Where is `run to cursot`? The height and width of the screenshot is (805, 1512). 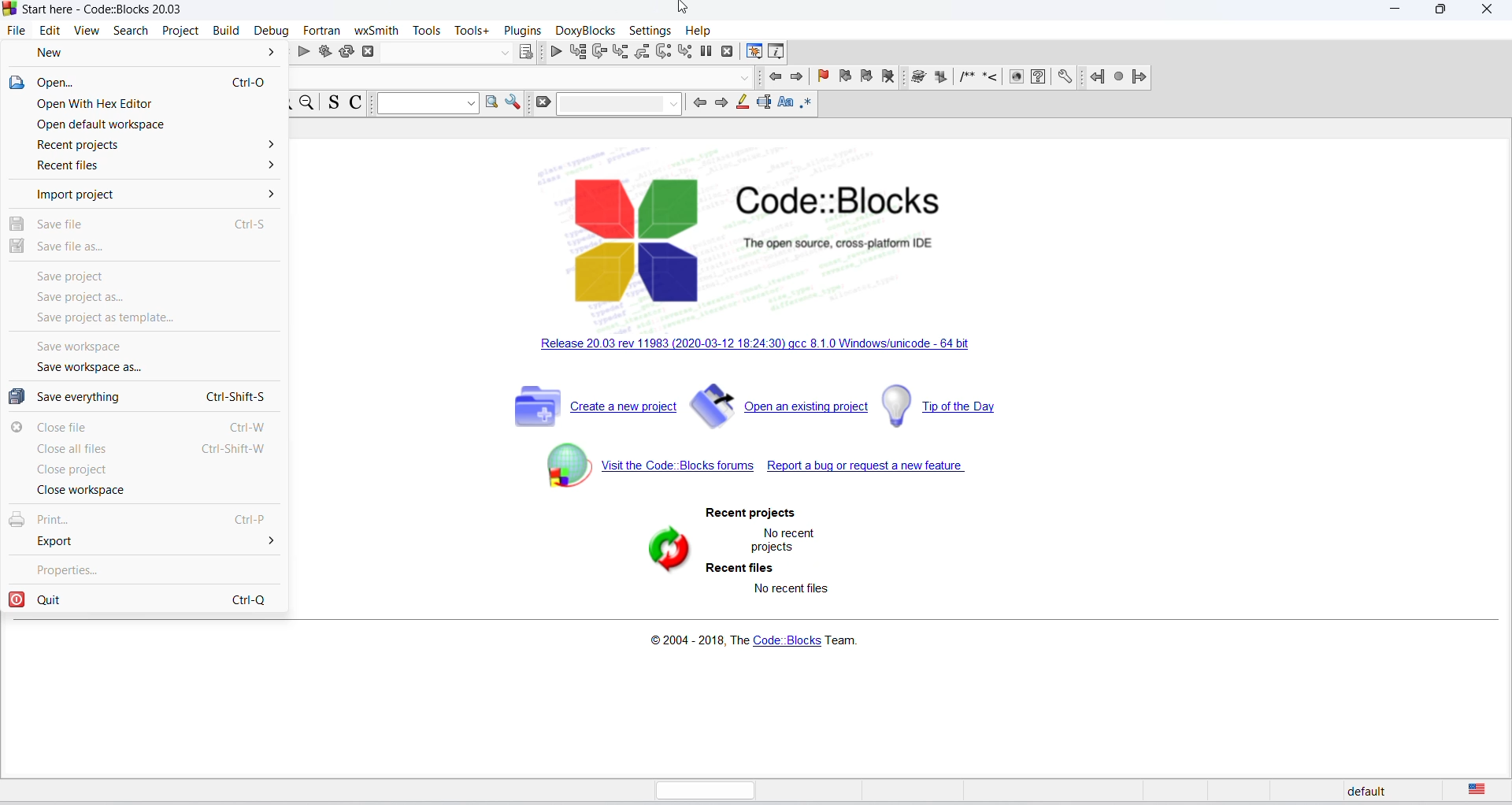 run to cursot is located at coordinates (576, 52).